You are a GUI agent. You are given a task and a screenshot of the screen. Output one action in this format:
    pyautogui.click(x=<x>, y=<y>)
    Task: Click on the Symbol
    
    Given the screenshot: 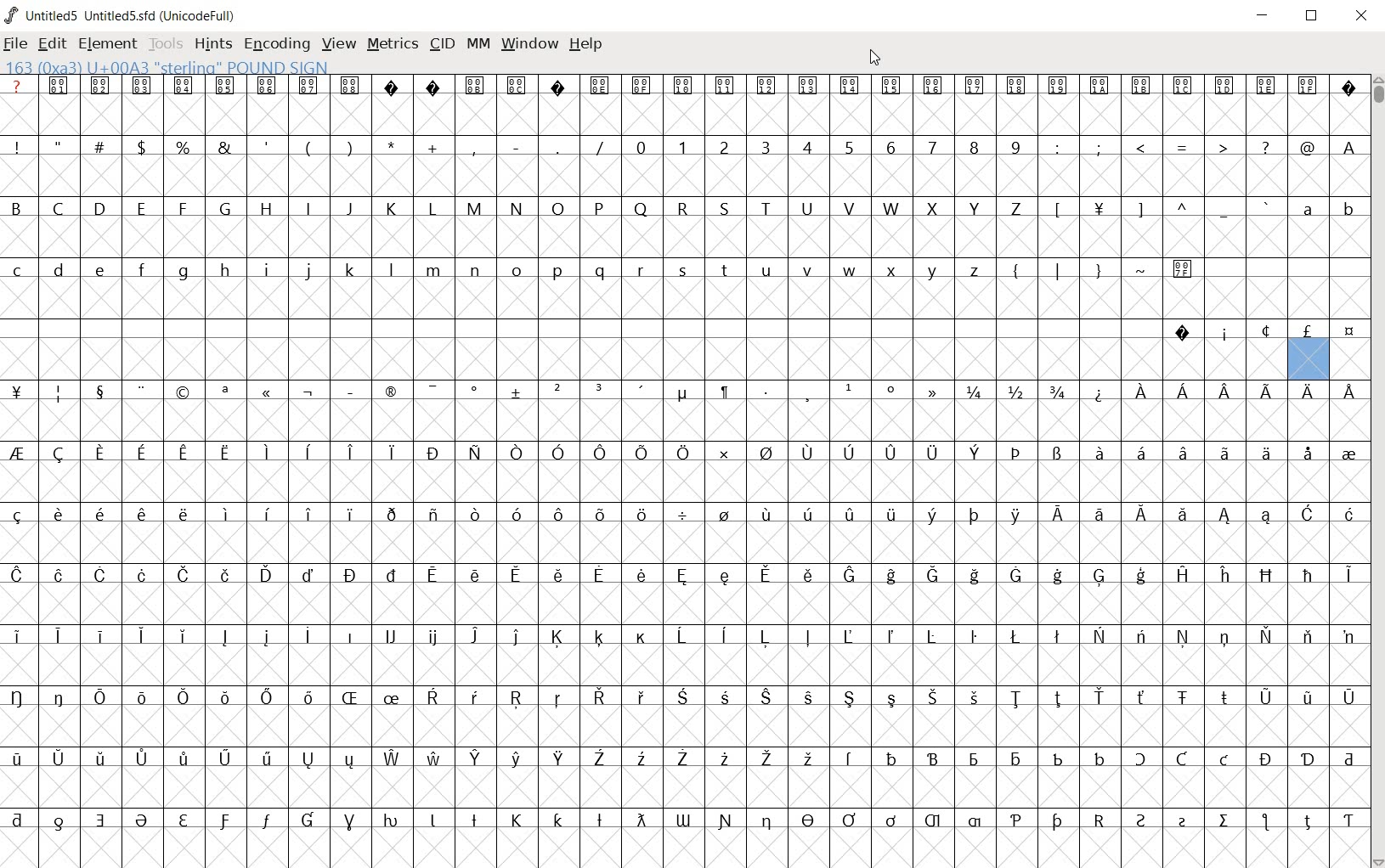 What is the action you would take?
    pyautogui.click(x=893, y=87)
    